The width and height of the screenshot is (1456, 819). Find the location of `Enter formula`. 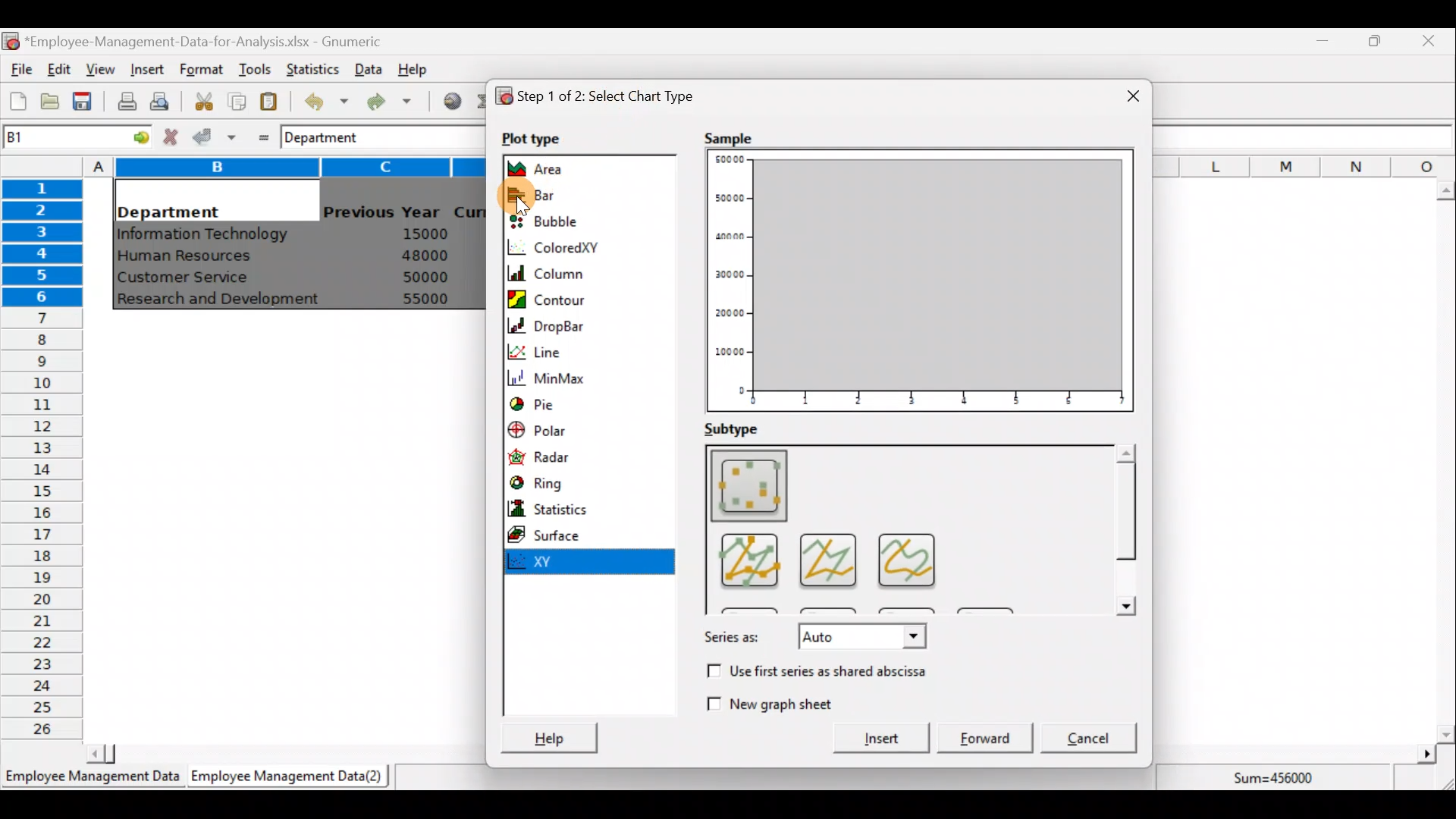

Enter formula is located at coordinates (259, 134).